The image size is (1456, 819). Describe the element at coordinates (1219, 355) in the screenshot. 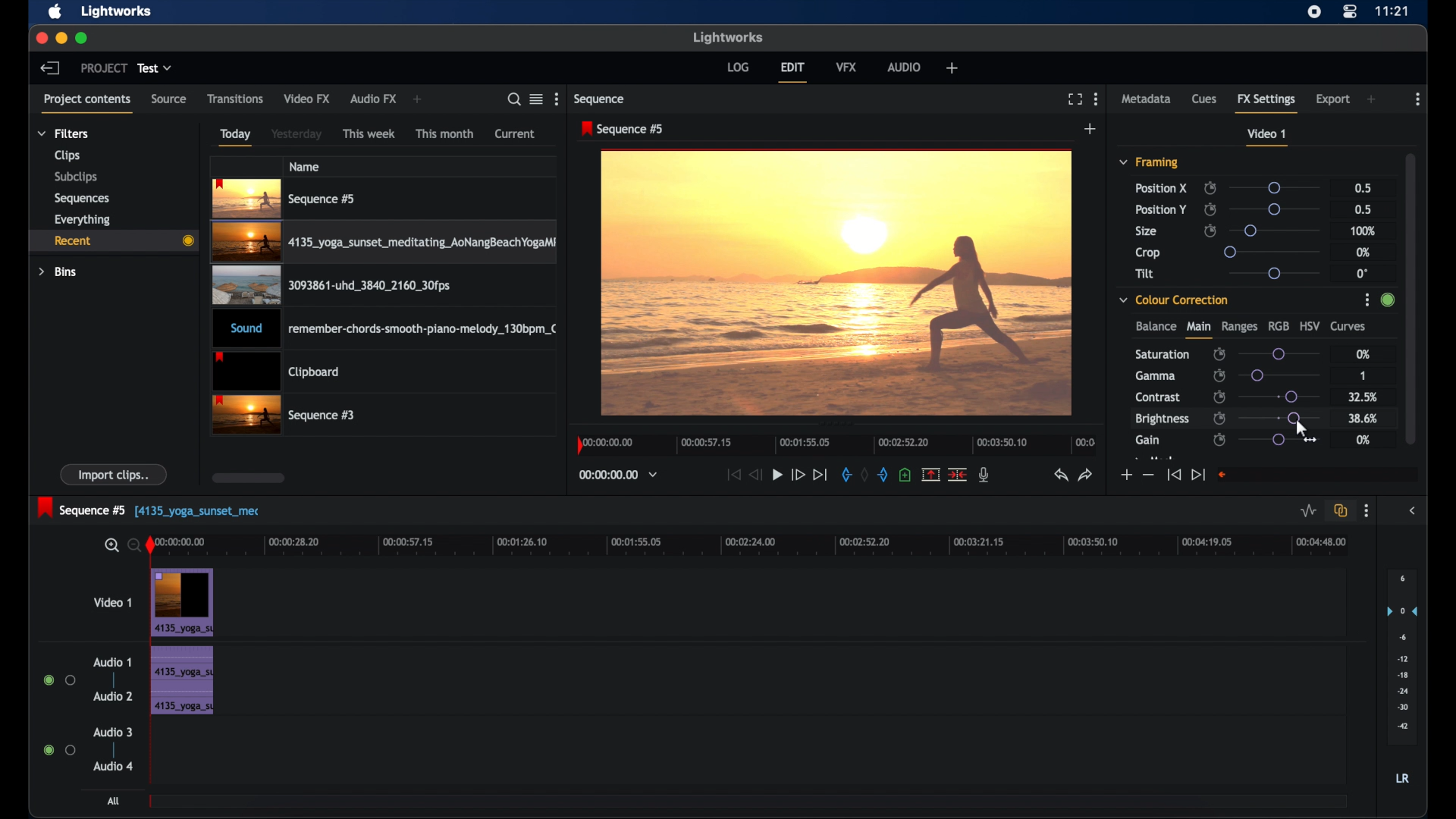

I see `enable/disable keyframes` at that location.